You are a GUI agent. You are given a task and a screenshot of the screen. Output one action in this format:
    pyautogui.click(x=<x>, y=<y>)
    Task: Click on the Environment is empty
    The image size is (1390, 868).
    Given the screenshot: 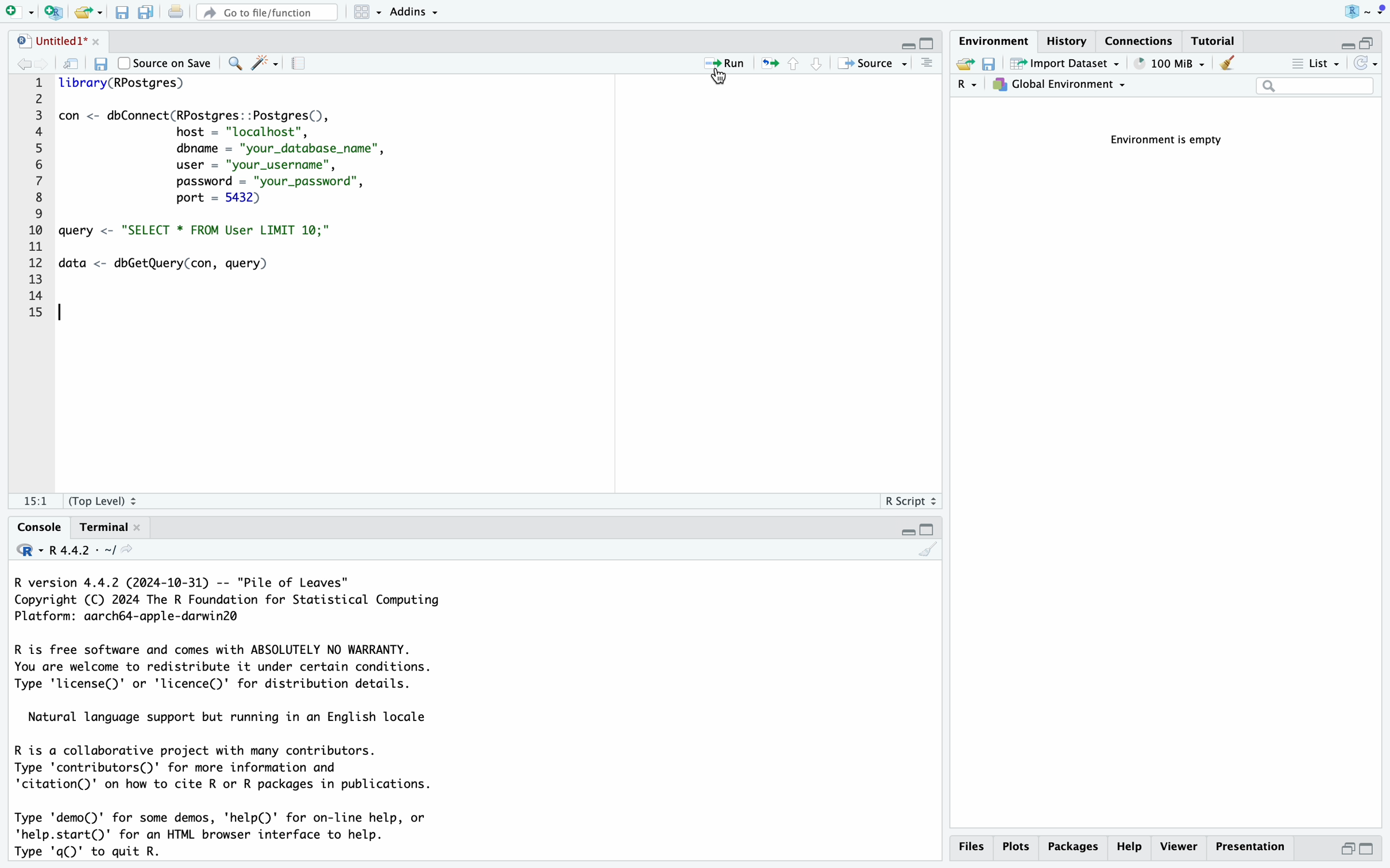 What is the action you would take?
    pyautogui.click(x=1173, y=141)
    